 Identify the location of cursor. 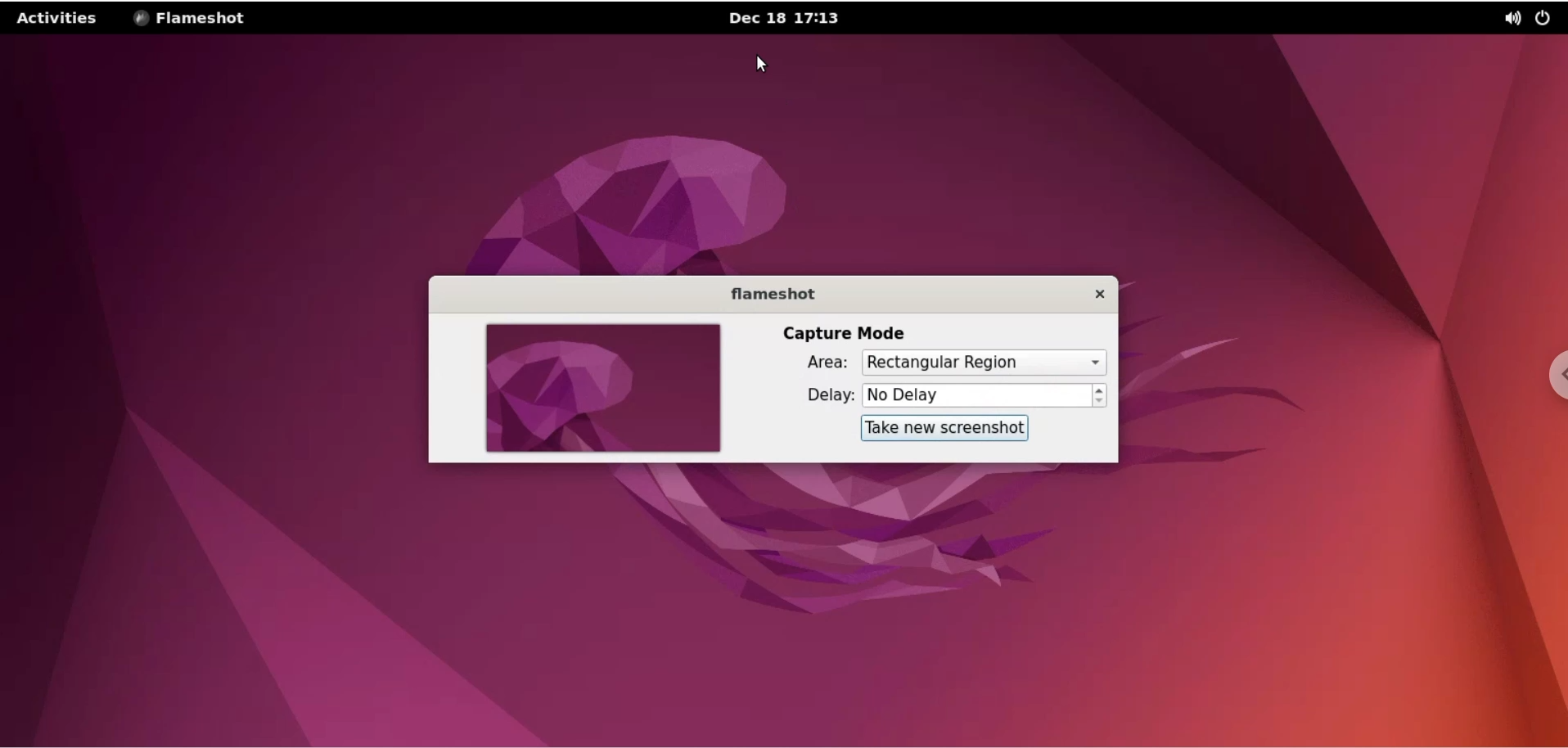
(762, 64).